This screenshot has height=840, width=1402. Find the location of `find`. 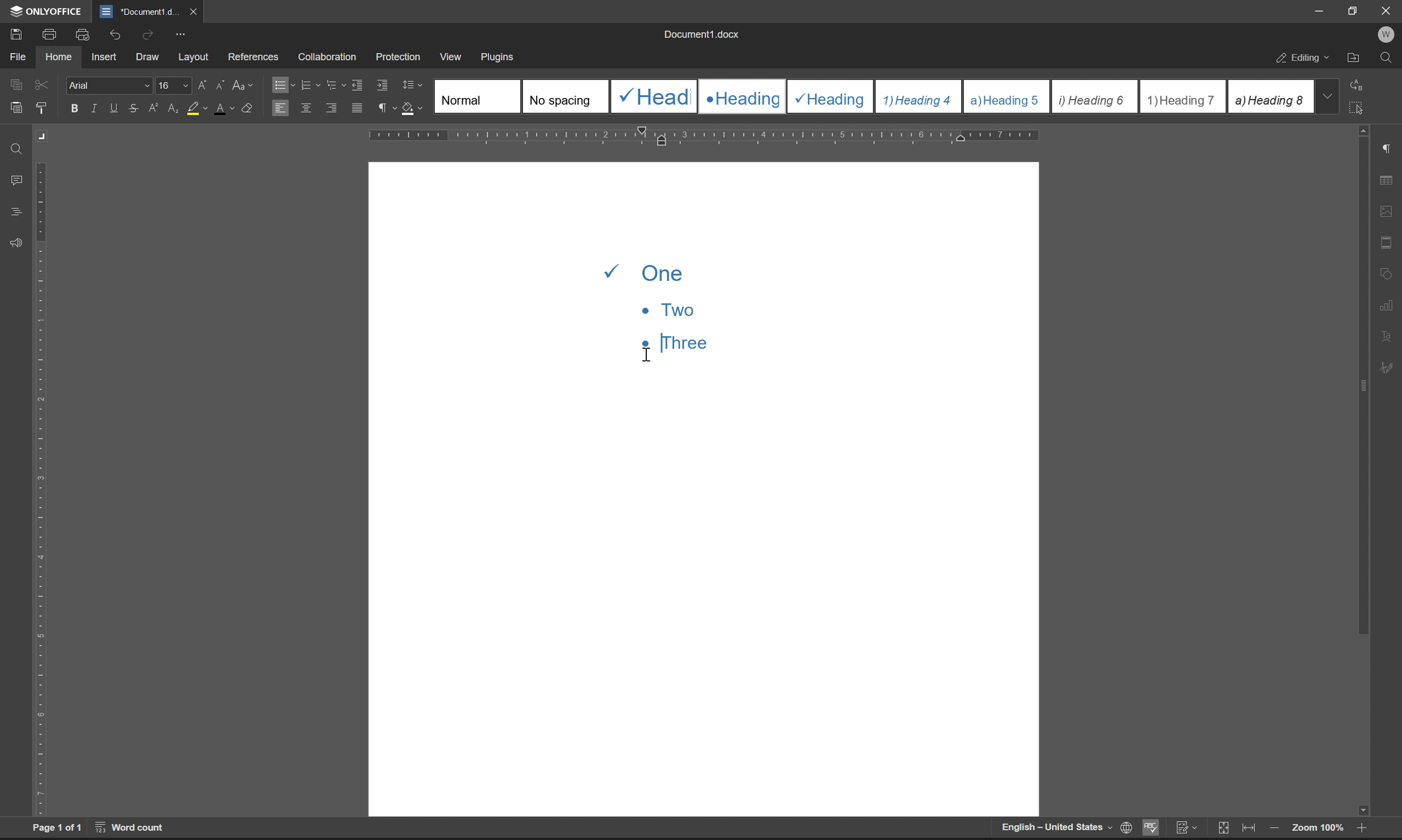

find is located at coordinates (1386, 58).